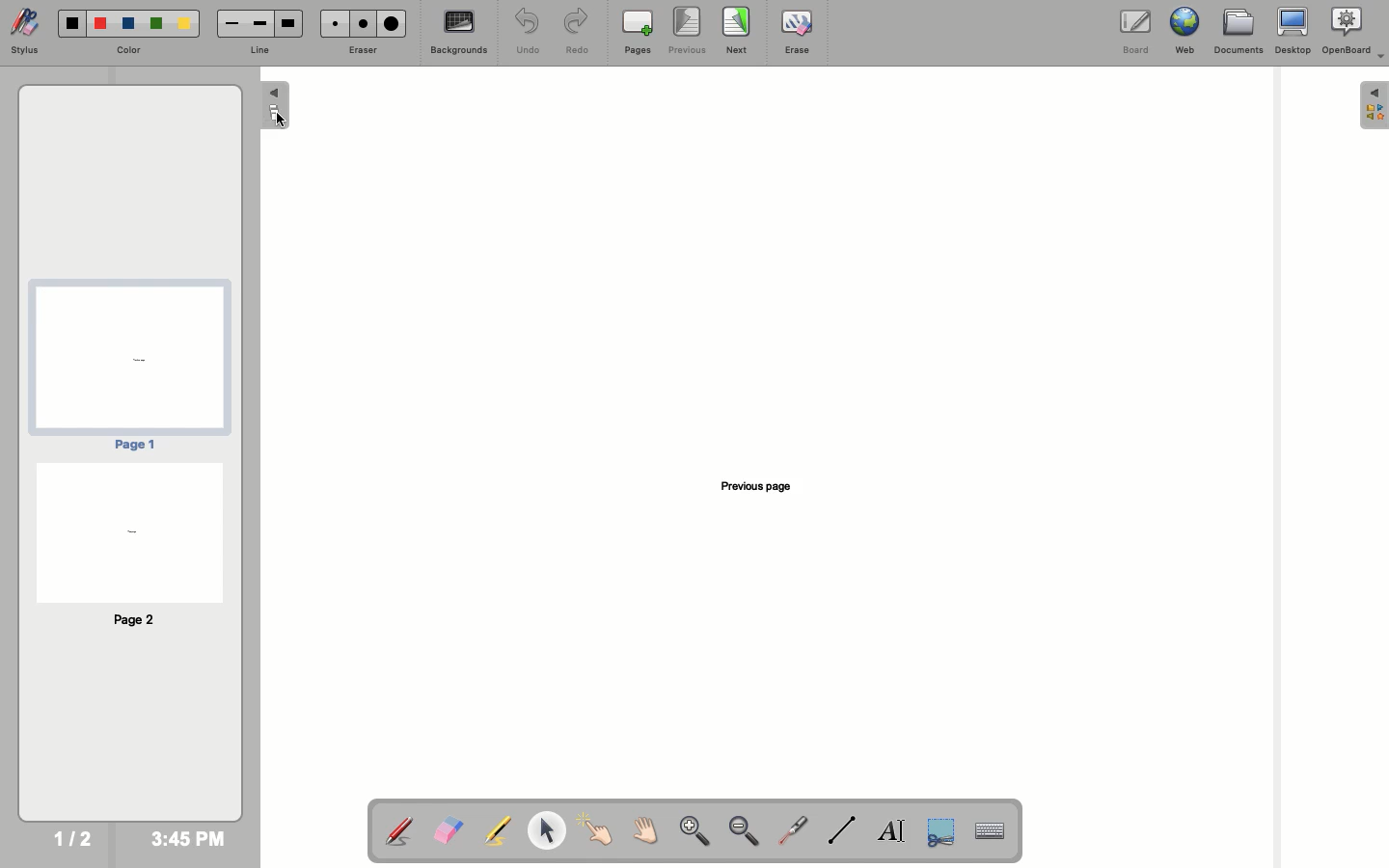  Describe the element at coordinates (25, 31) in the screenshot. I see `Stylus` at that location.